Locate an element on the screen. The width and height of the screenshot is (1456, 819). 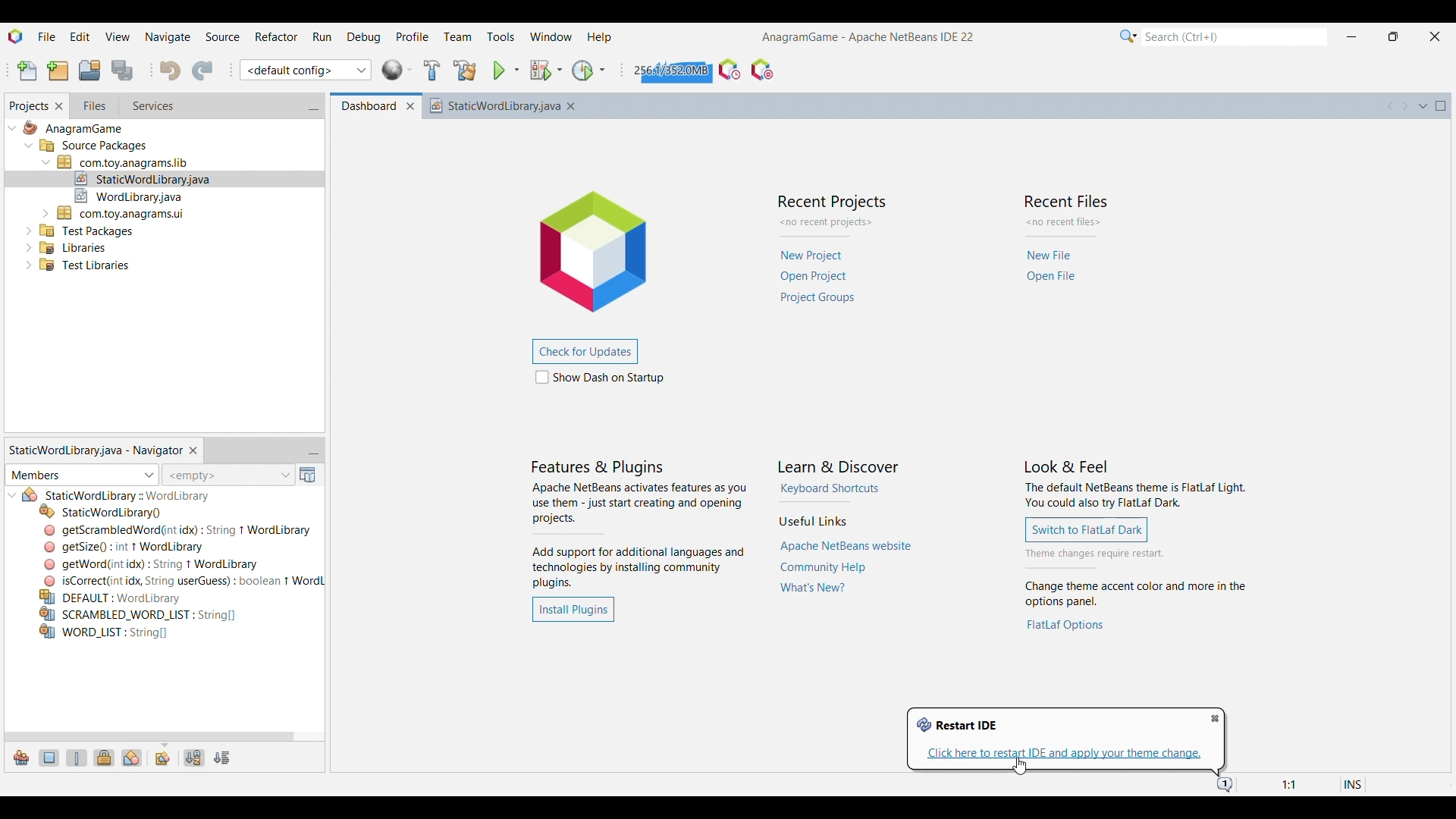
Next step after clicking on current selected button is located at coordinates (1134, 554).